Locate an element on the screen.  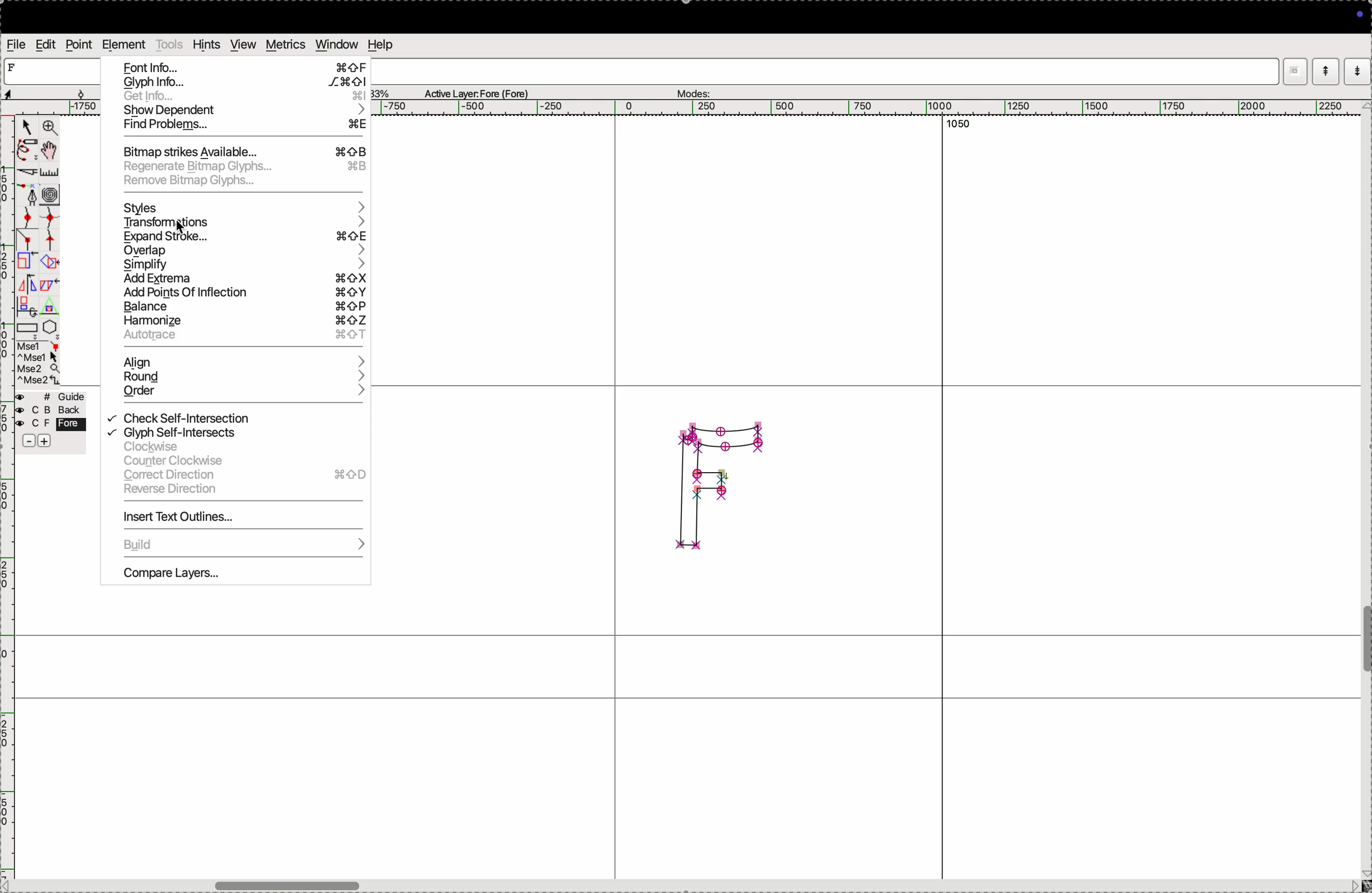
view is located at coordinates (242, 44).